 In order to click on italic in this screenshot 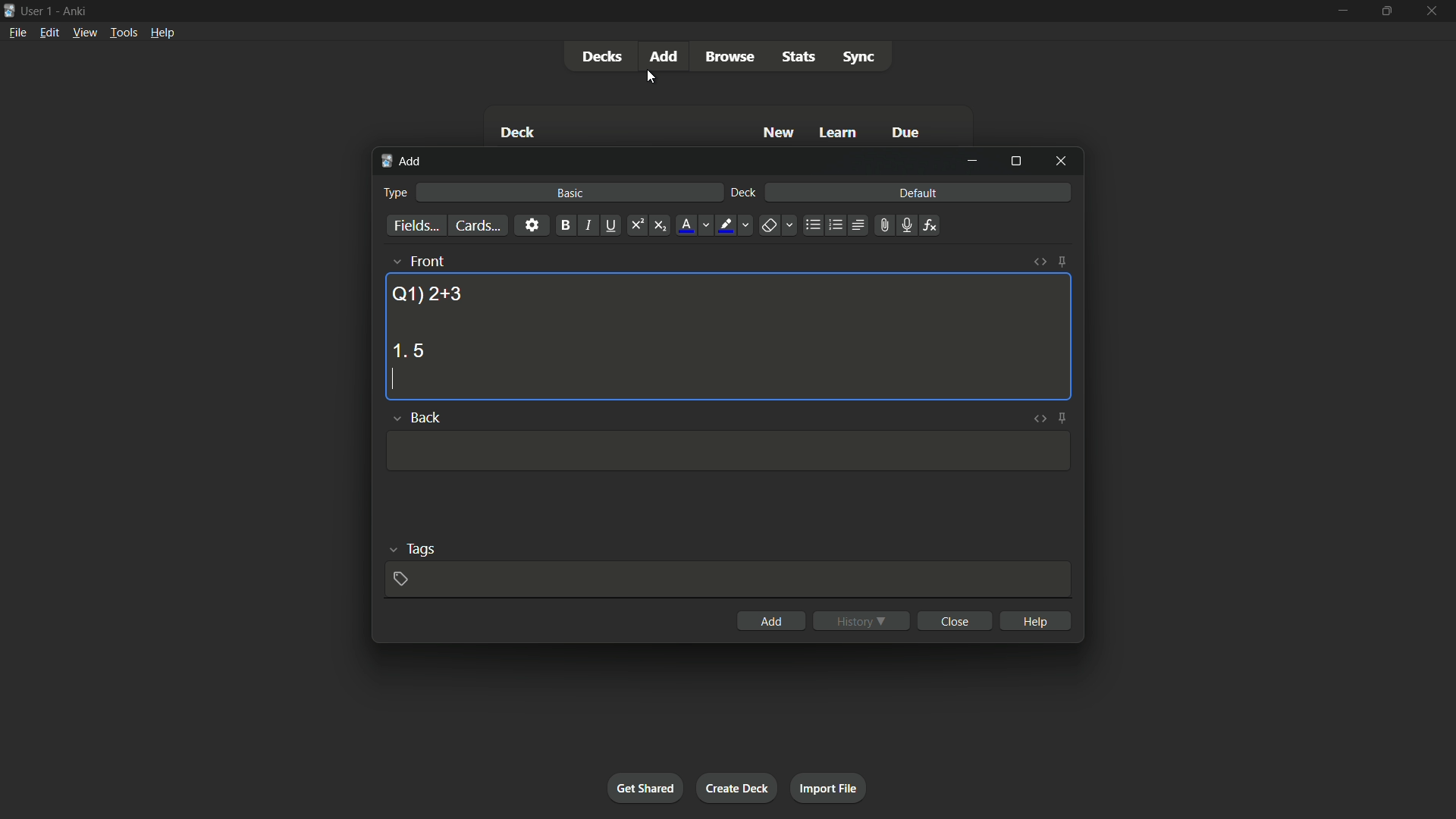, I will do `click(587, 225)`.